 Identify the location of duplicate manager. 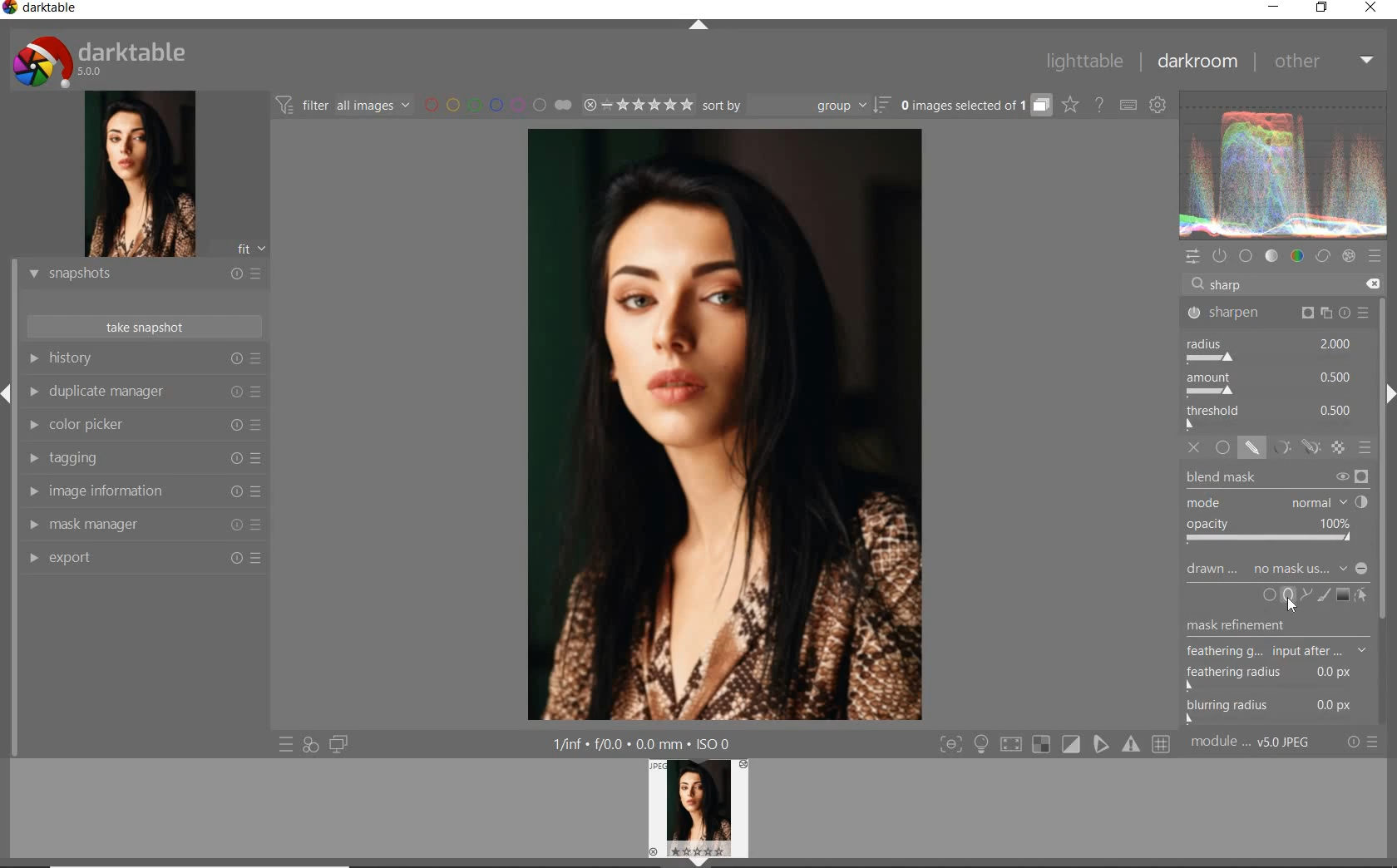
(144, 390).